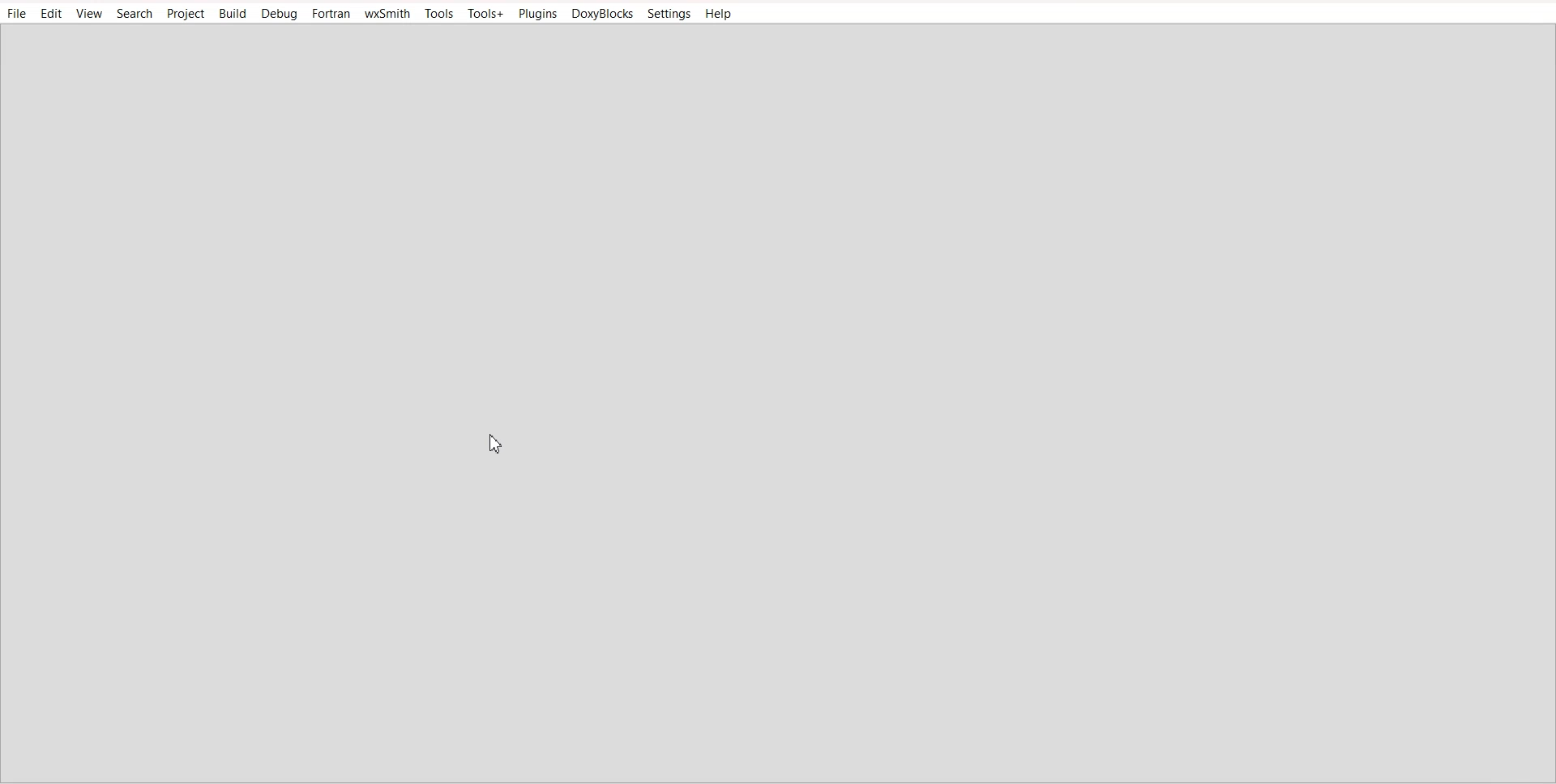  Describe the element at coordinates (51, 13) in the screenshot. I see `Edit` at that location.